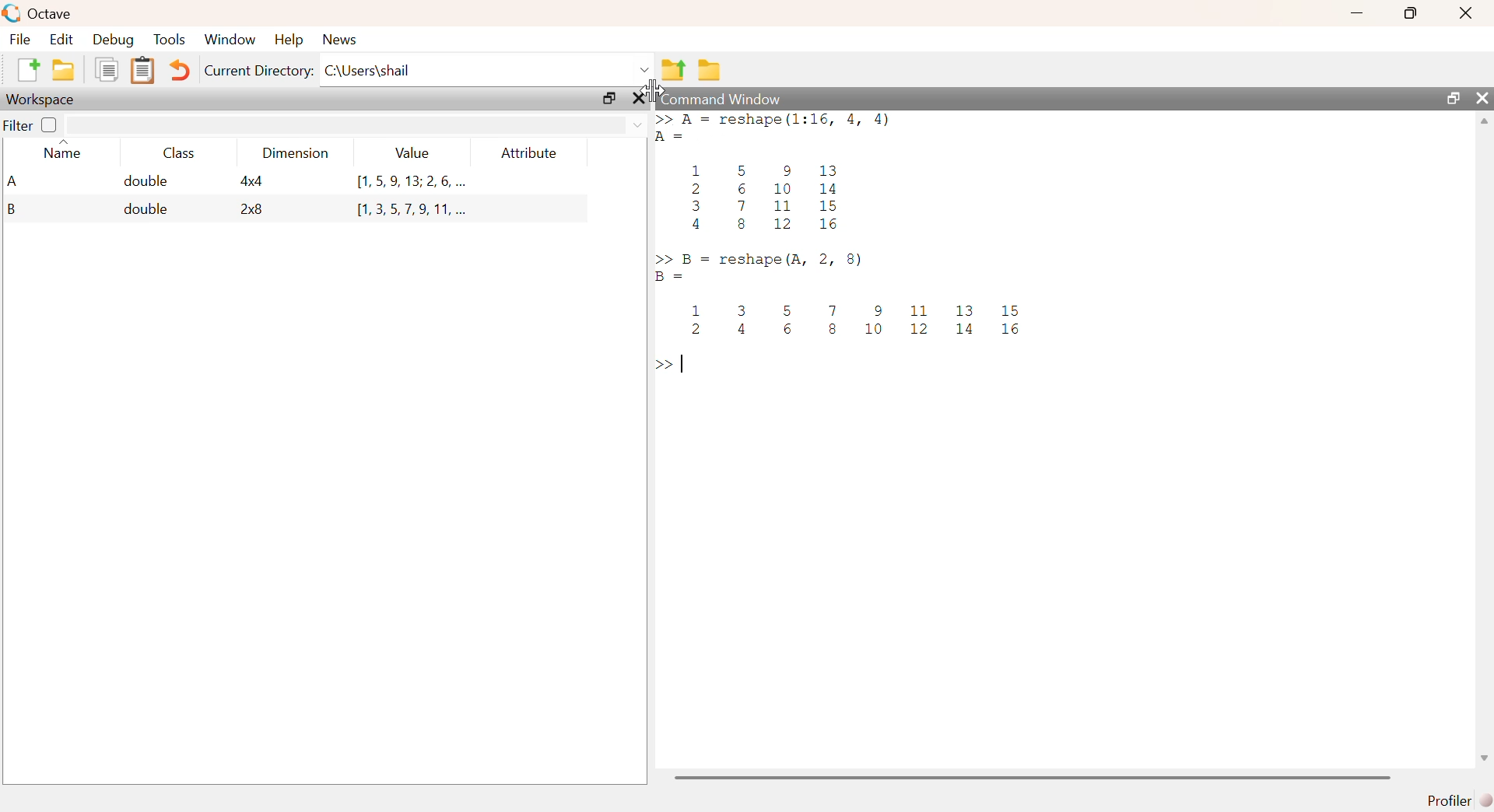 The height and width of the screenshot is (812, 1494). I want to click on Current Directory:, so click(256, 72).